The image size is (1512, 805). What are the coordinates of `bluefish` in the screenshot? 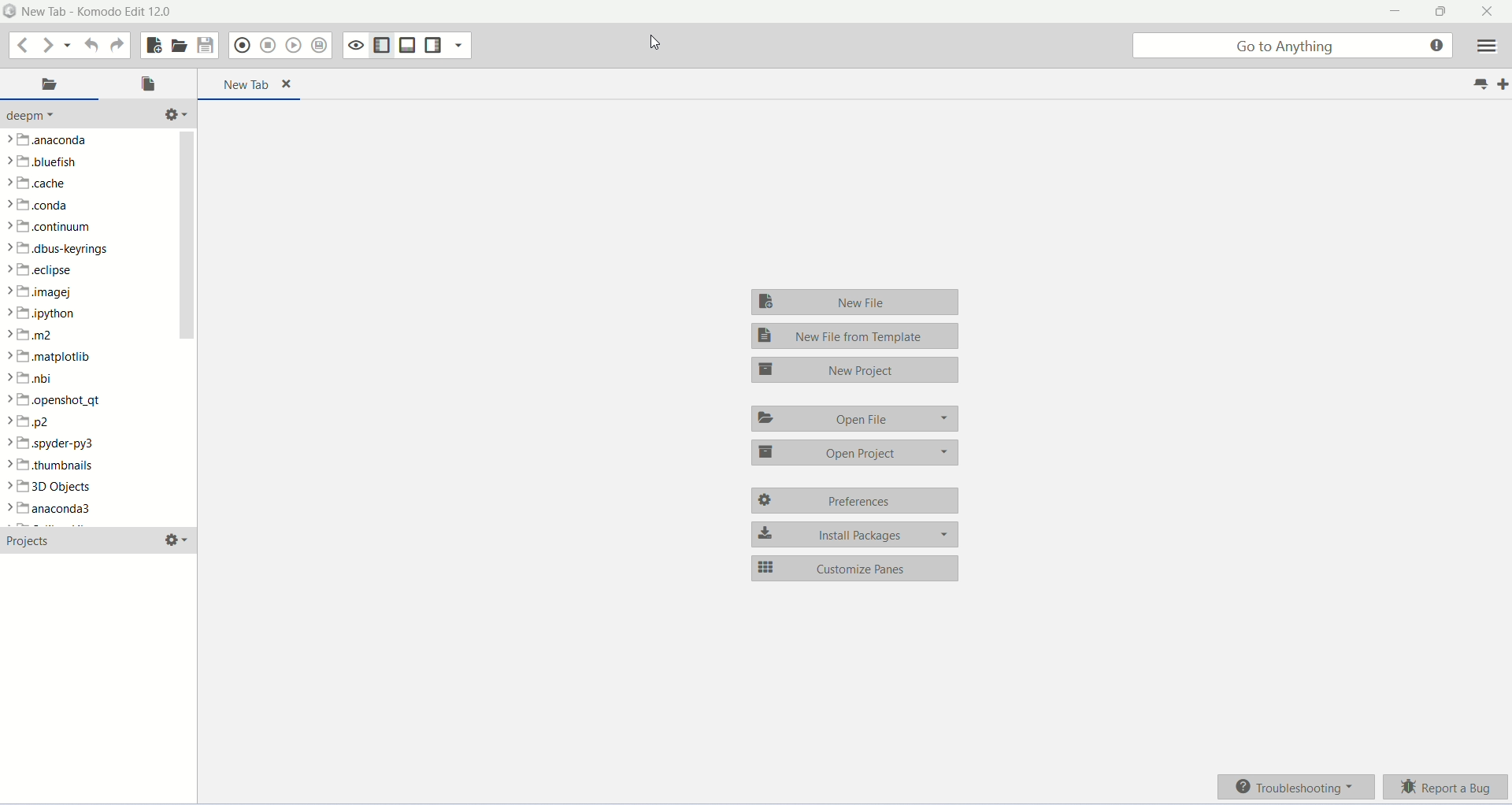 It's located at (44, 163).